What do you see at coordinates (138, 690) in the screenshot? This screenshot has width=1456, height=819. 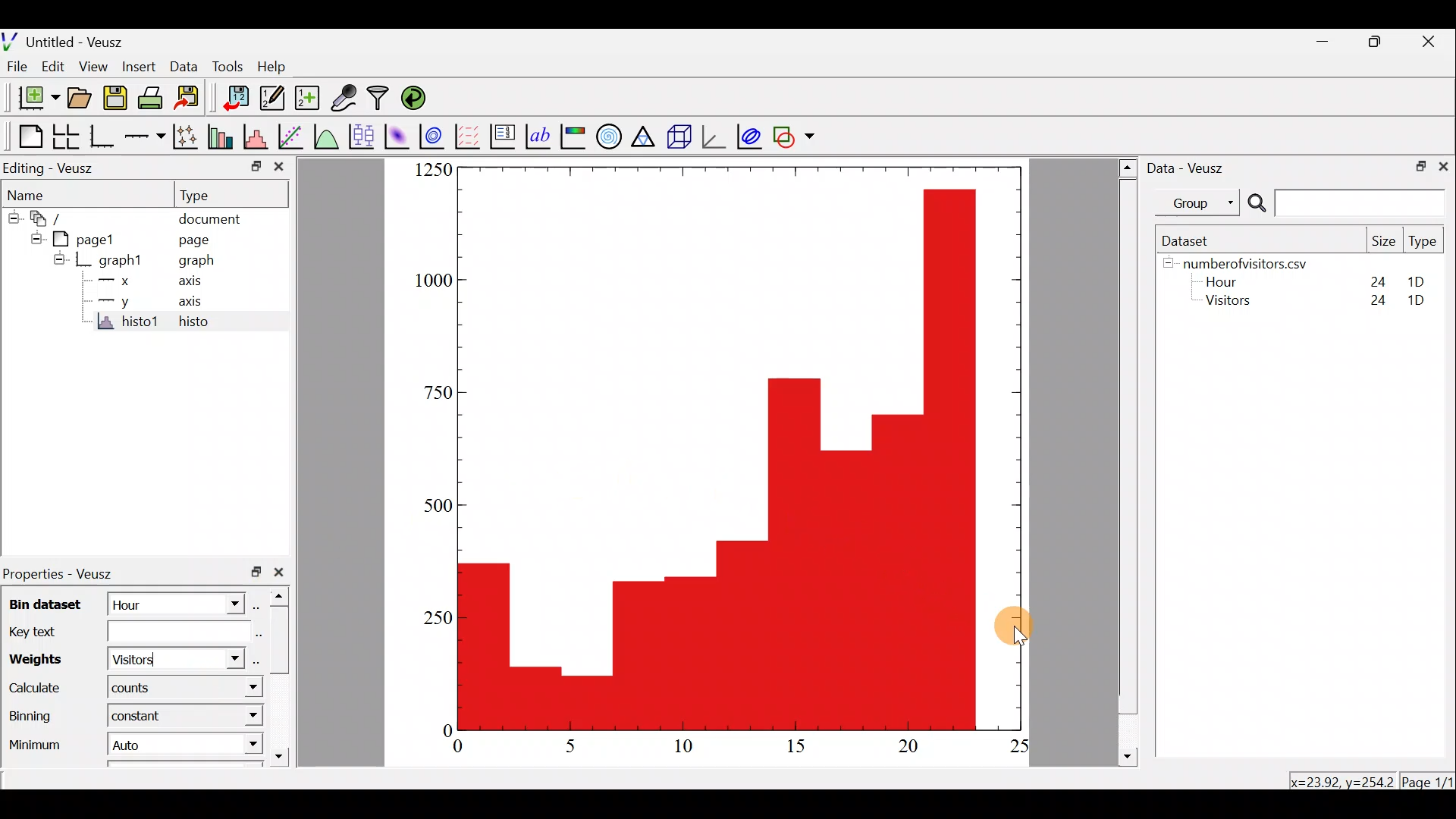 I see `counts` at bounding box center [138, 690].